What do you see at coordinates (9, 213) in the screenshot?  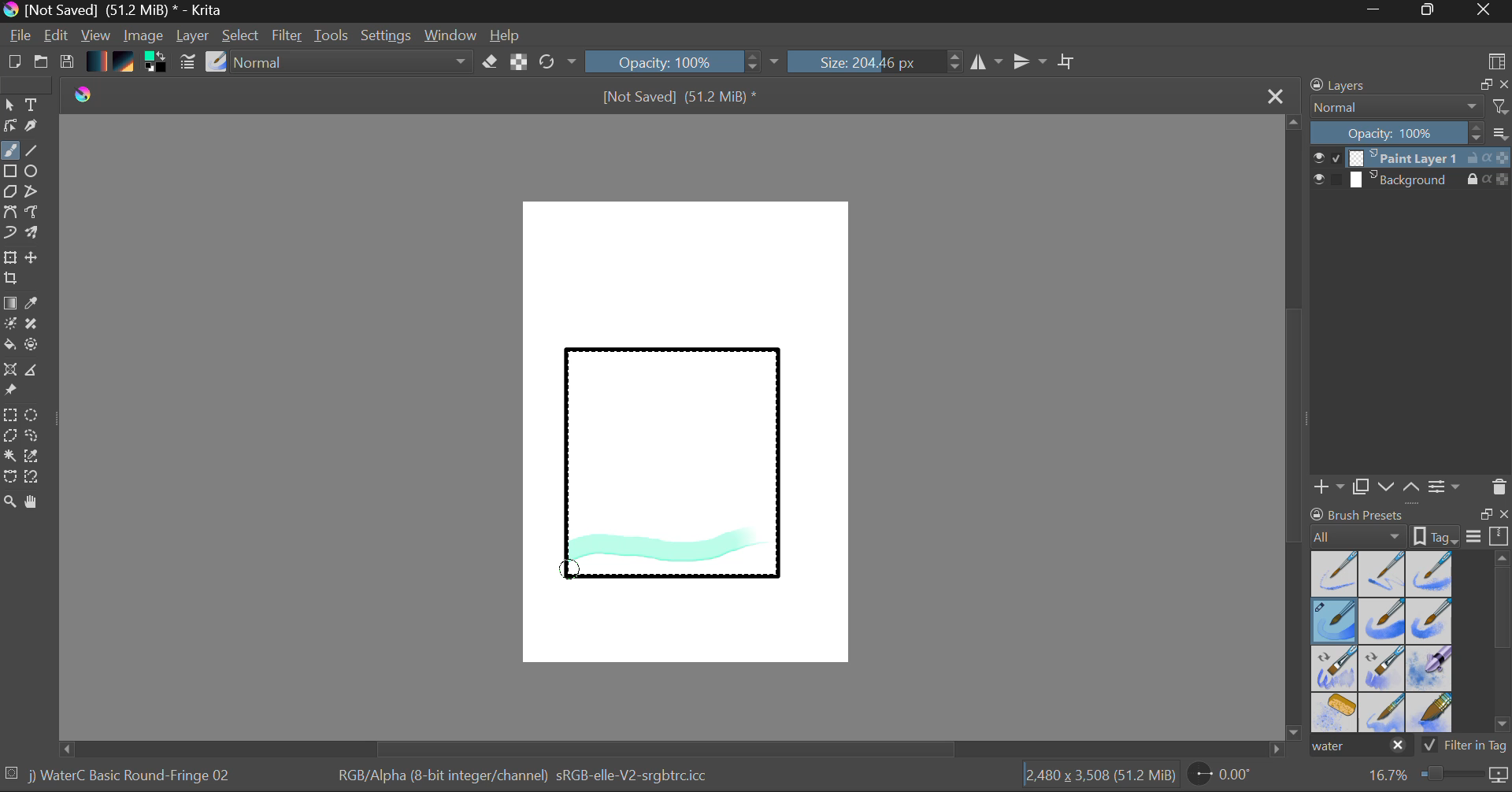 I see `Bezier Curve` at bounding box center [9, 213].